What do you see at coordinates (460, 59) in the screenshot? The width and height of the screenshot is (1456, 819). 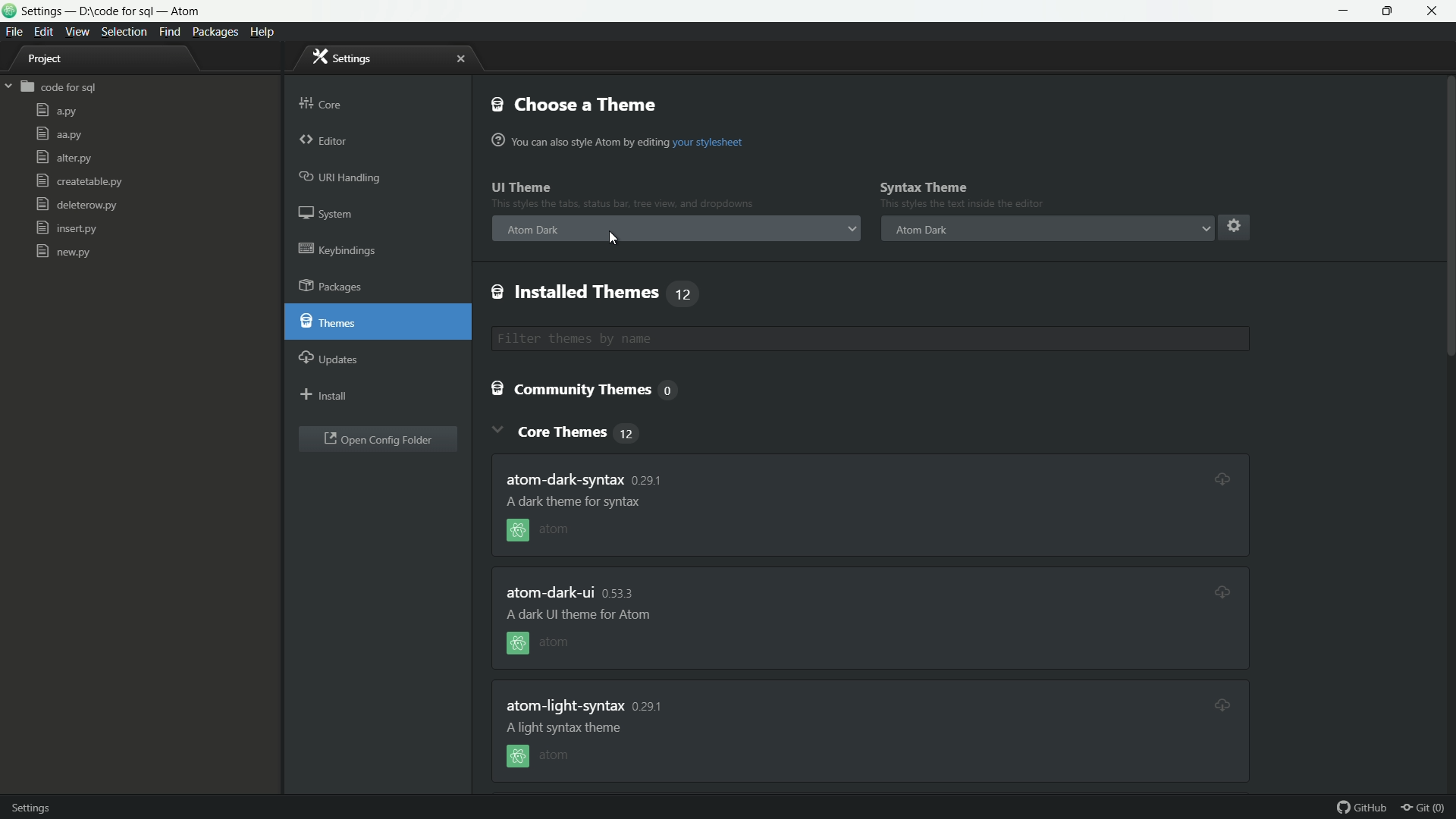 I see `close` at bounding box center [460, 59].